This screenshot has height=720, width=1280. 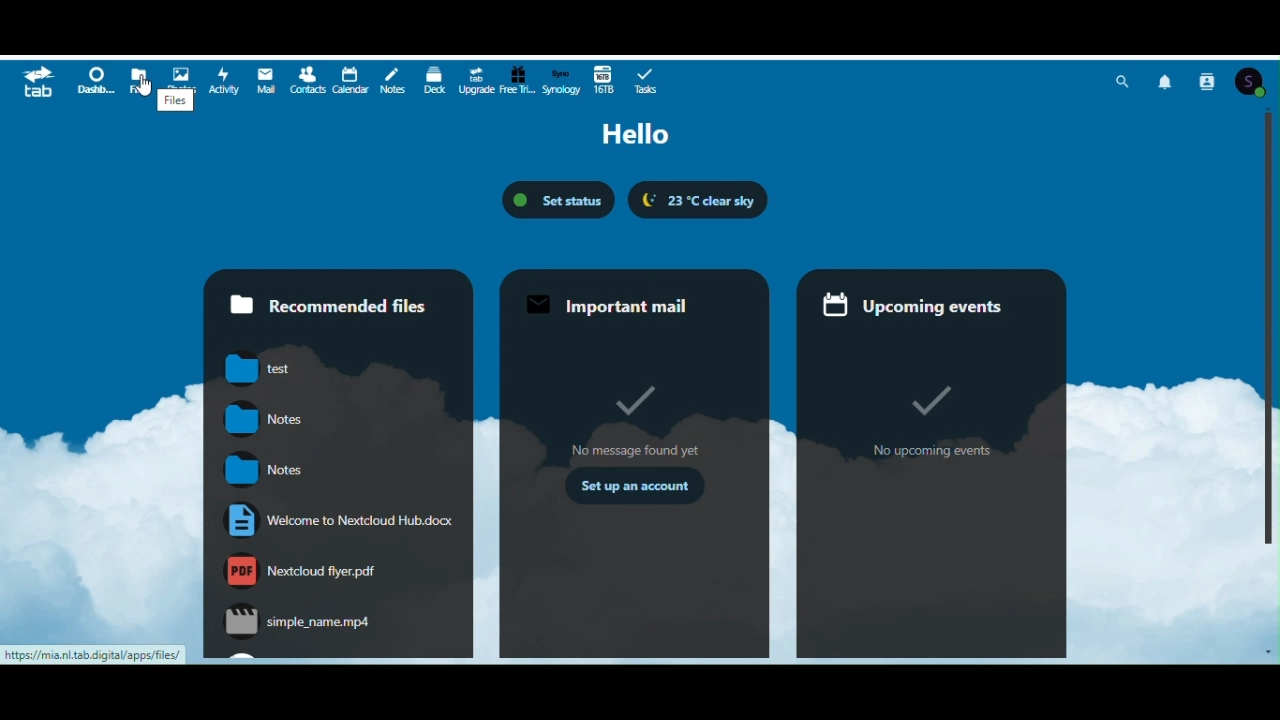 I want to click on Welcome to Nextcloud.hub.docx, so click(x=331, y=521).